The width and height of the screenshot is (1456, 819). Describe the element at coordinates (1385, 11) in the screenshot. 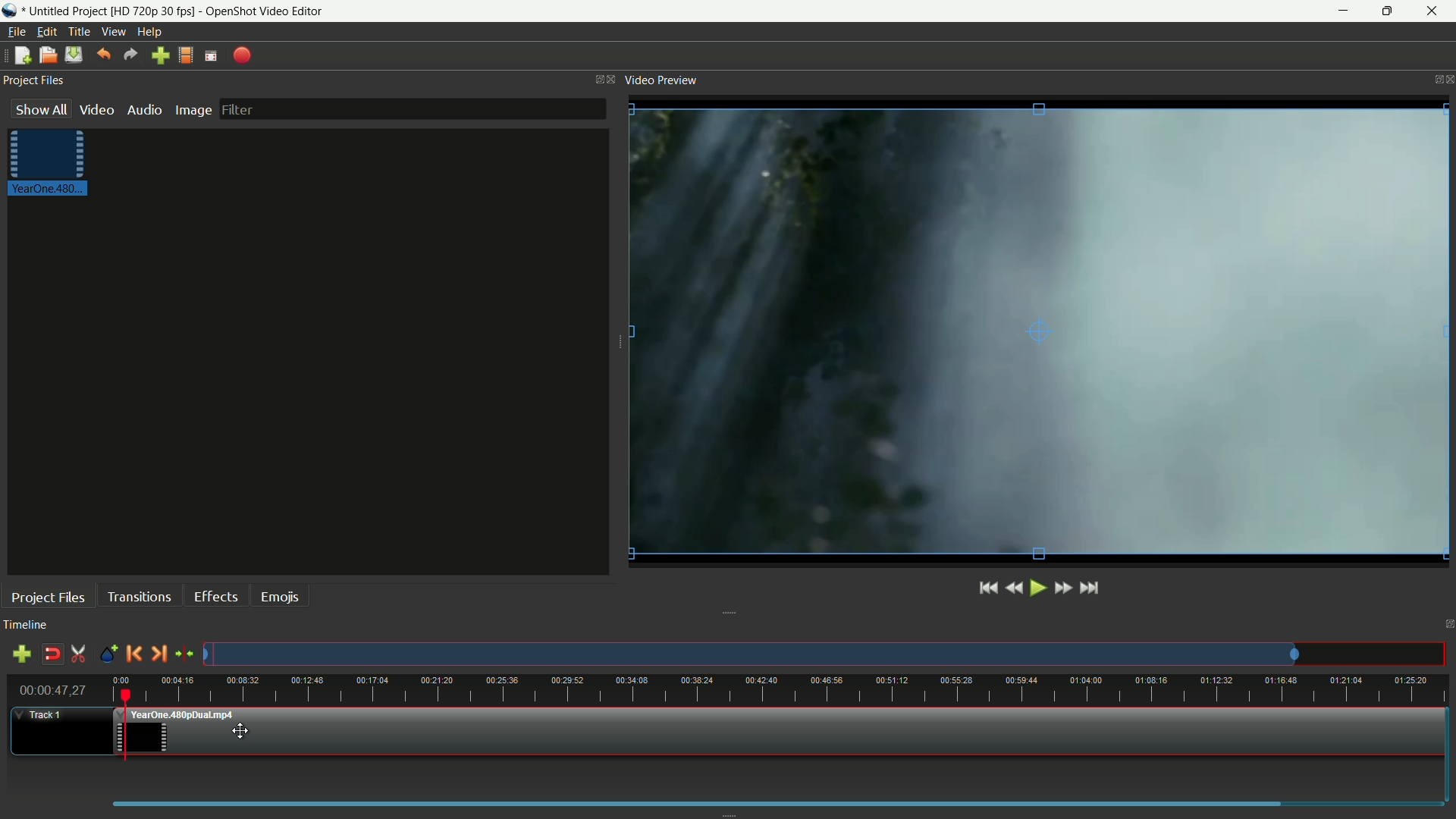

I see `maximize` at that location.